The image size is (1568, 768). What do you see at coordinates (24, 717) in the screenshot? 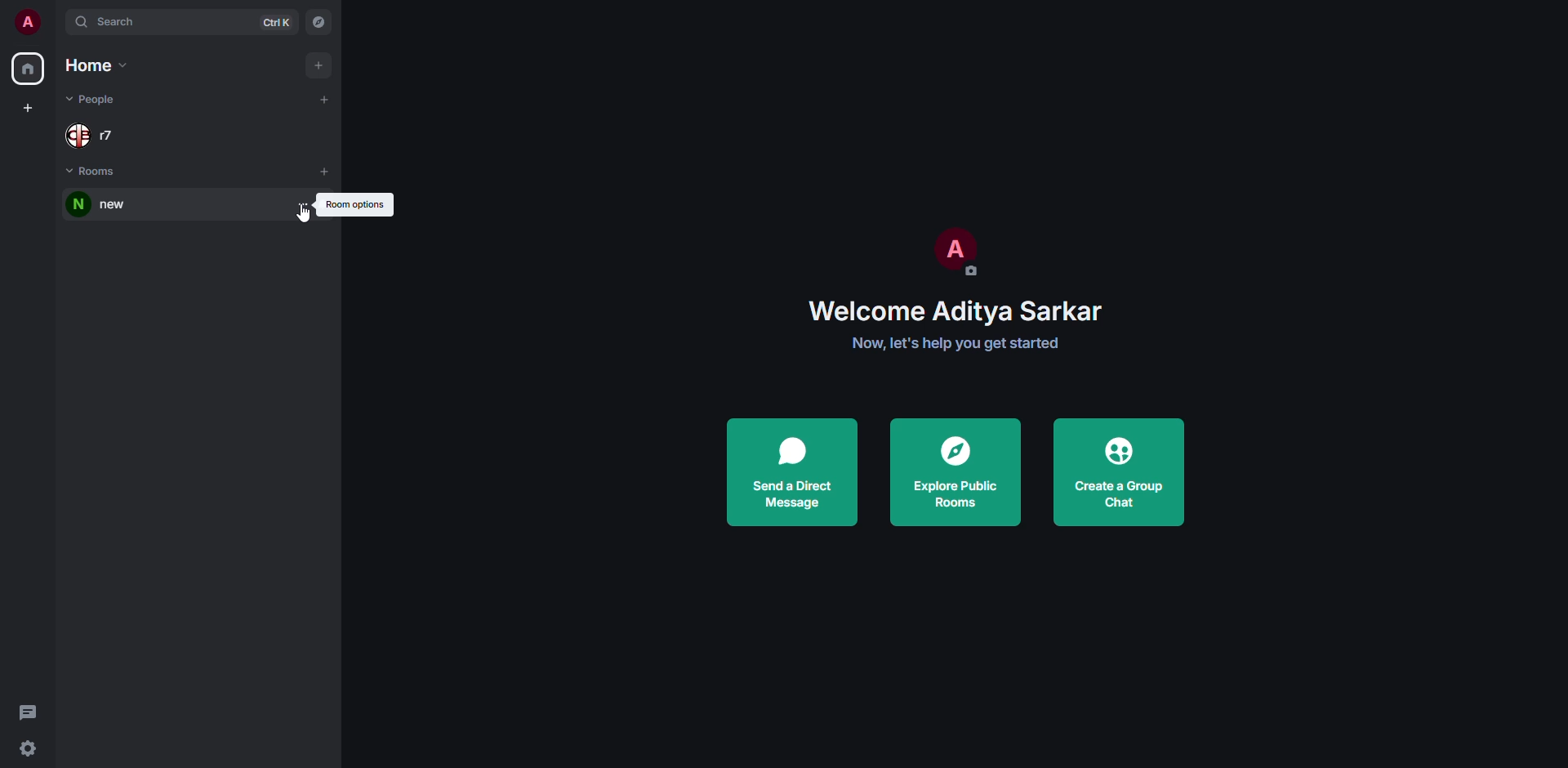
I see `threads` at bounding box center [24, 717].